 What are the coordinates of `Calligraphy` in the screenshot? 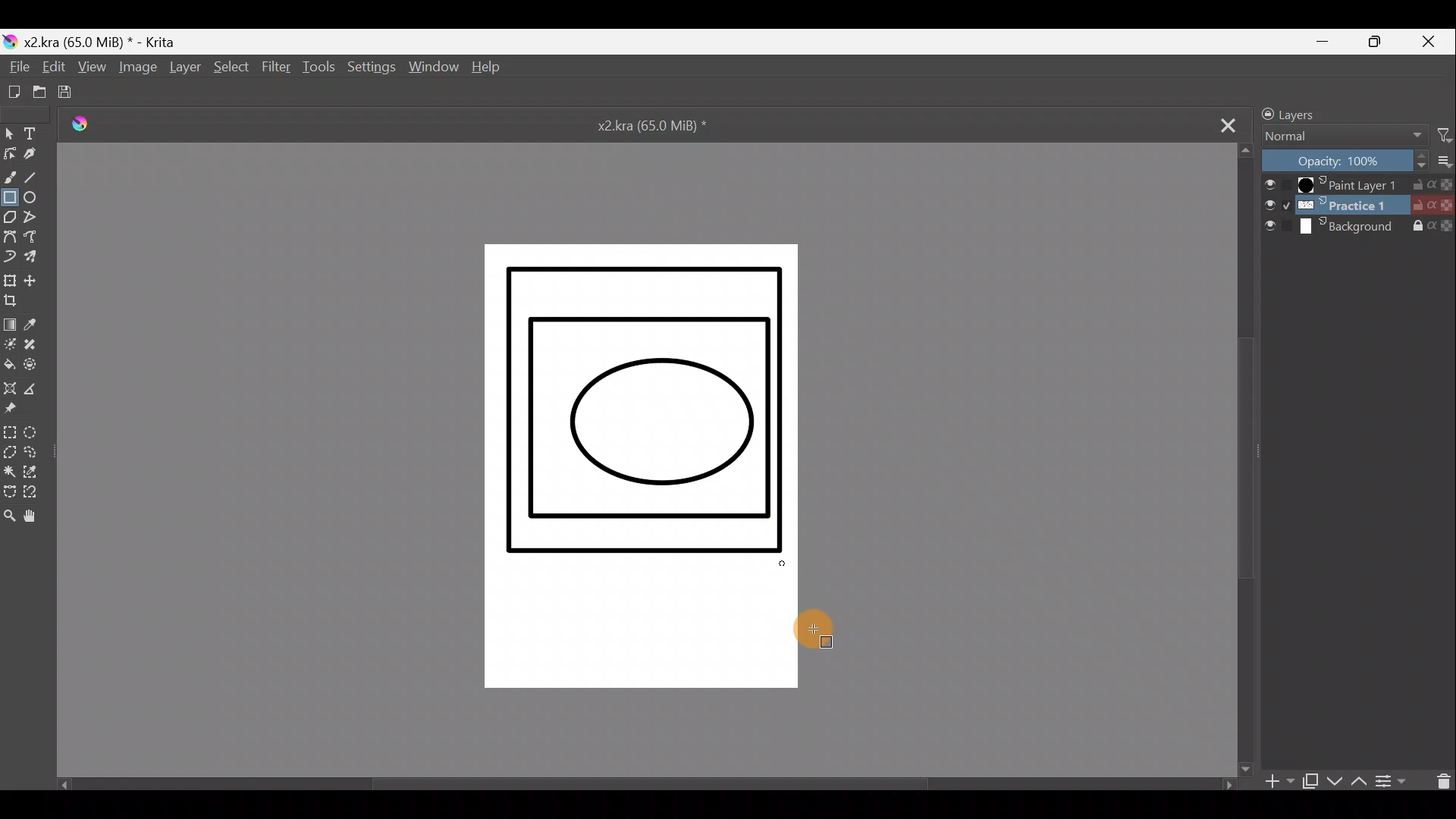 It's located at (36, 155).